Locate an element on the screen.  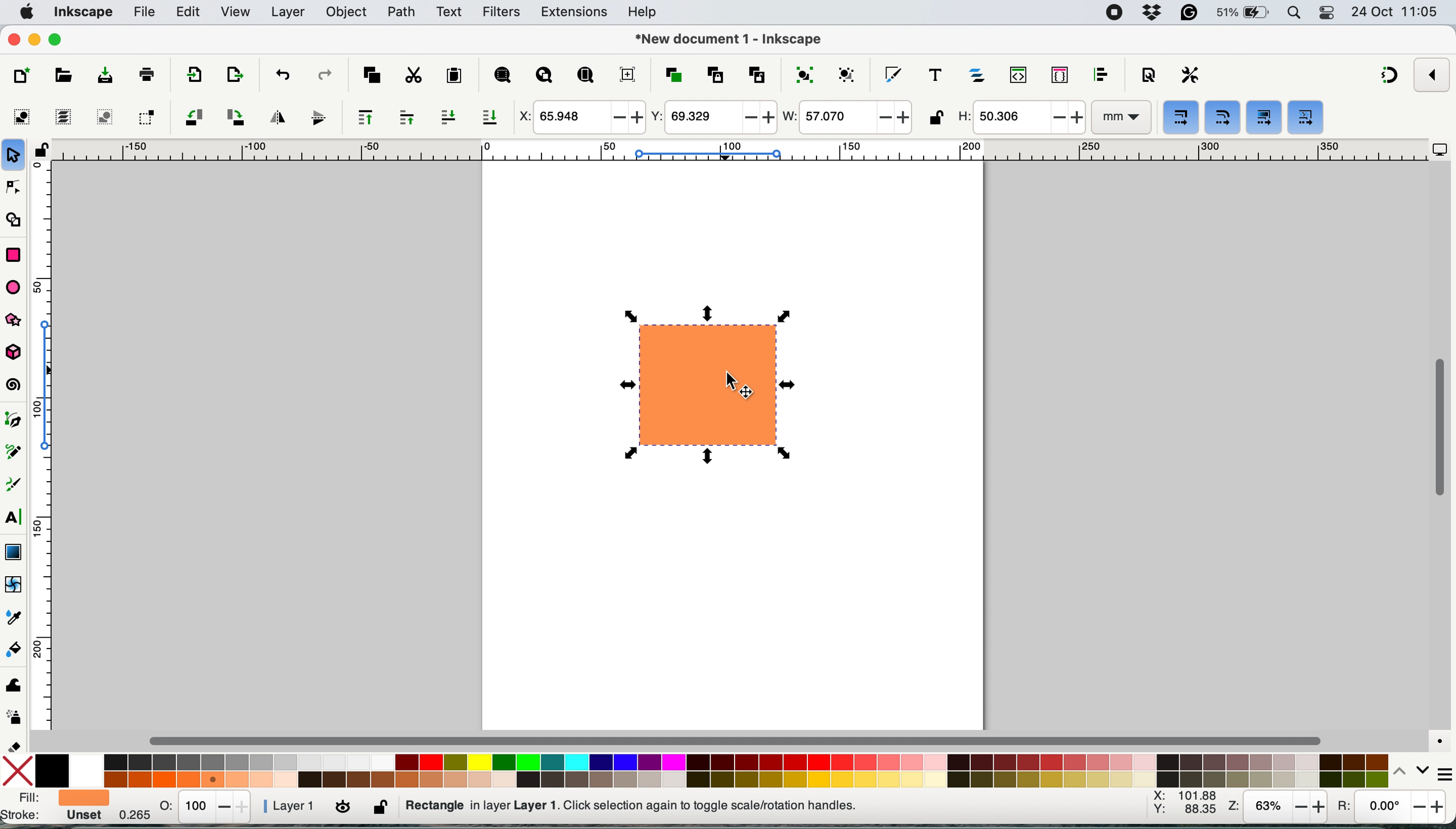
paint bucket tool is located at coordinates (16, 651).